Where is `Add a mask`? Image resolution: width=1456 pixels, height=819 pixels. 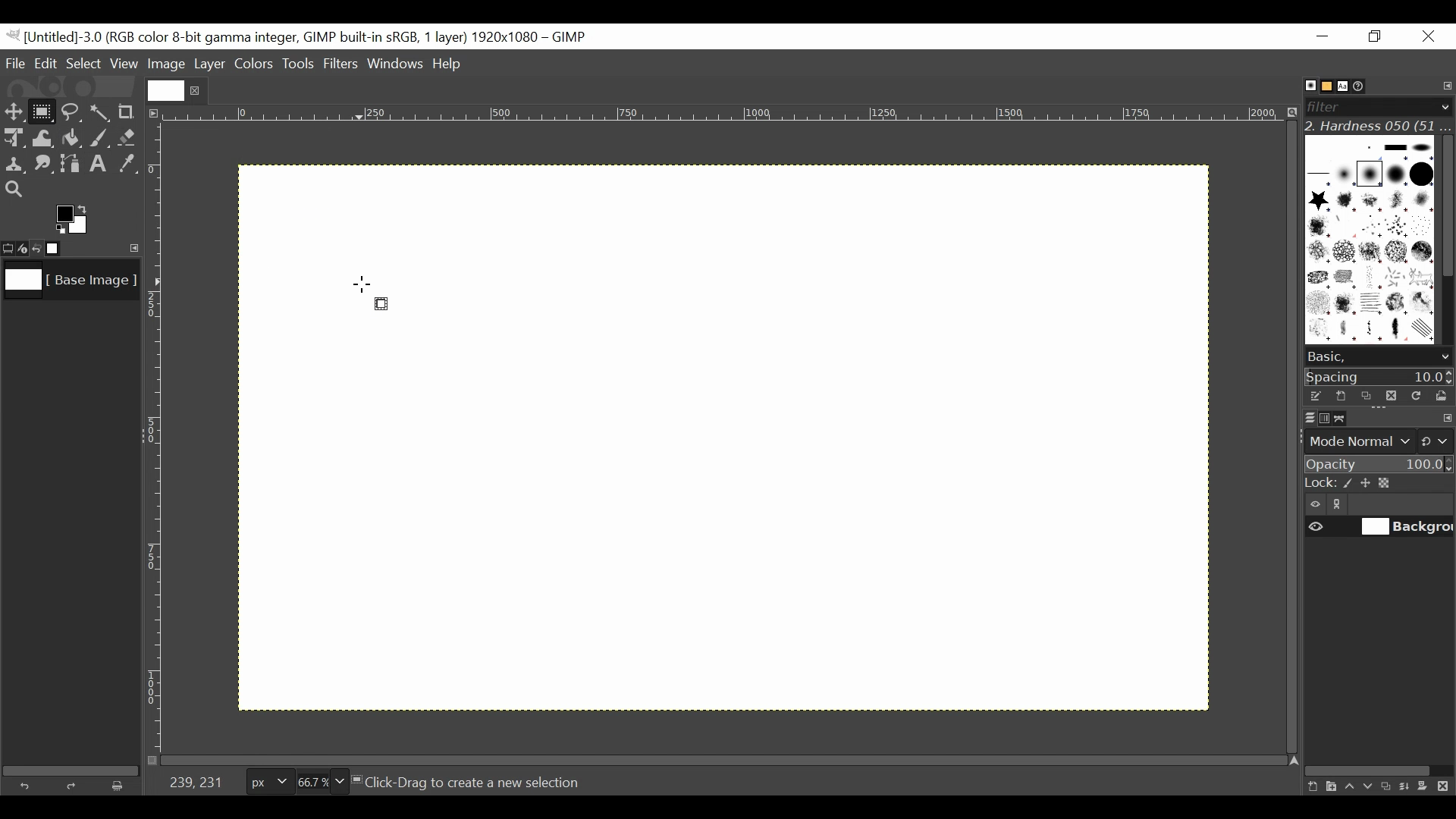 Add a mask is located at coordinates (1427, 789).